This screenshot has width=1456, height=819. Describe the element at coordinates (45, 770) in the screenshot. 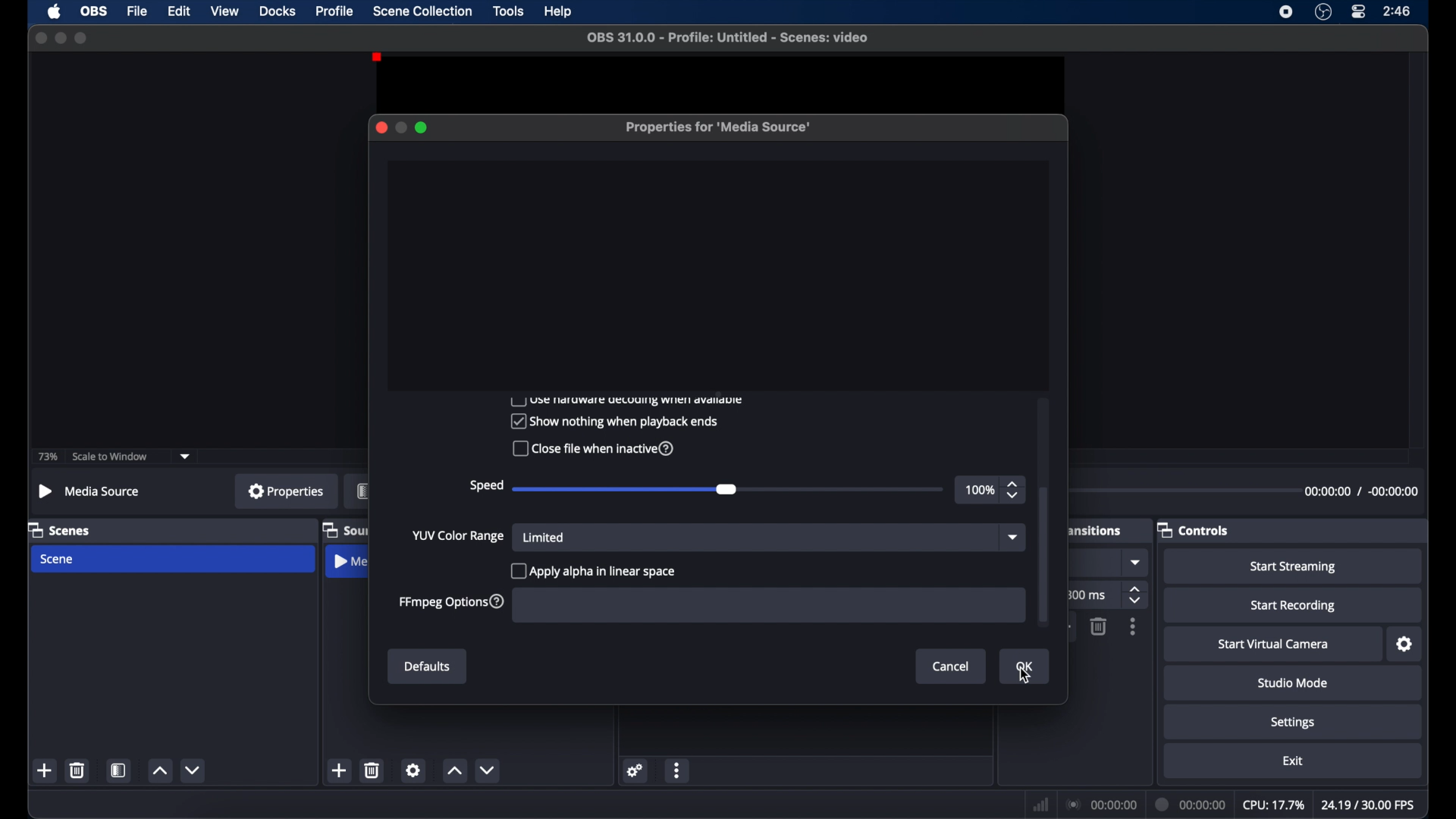

I see `add` at that location.